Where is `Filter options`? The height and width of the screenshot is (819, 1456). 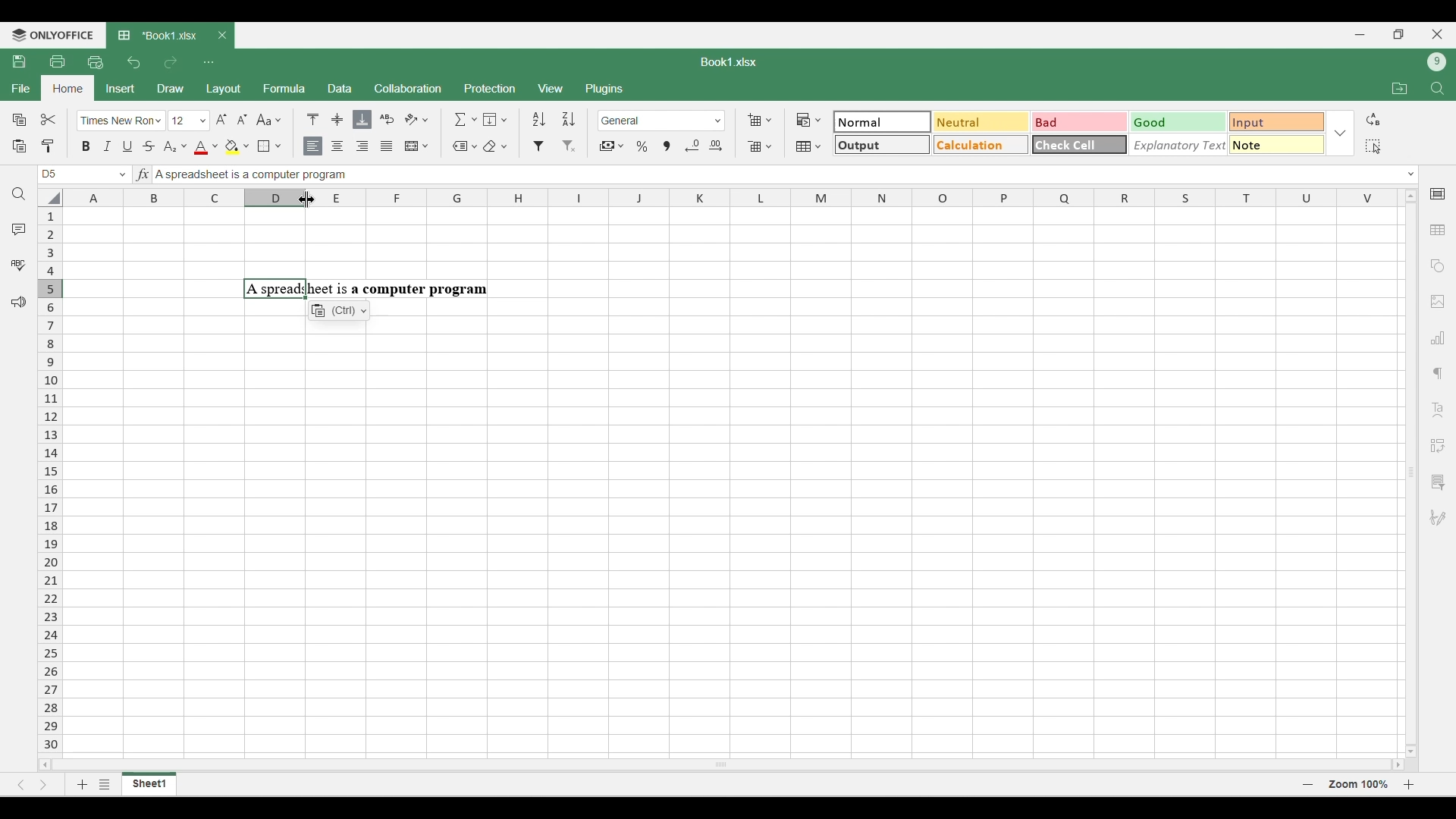
Filter options is located at coordinates (554, 146).